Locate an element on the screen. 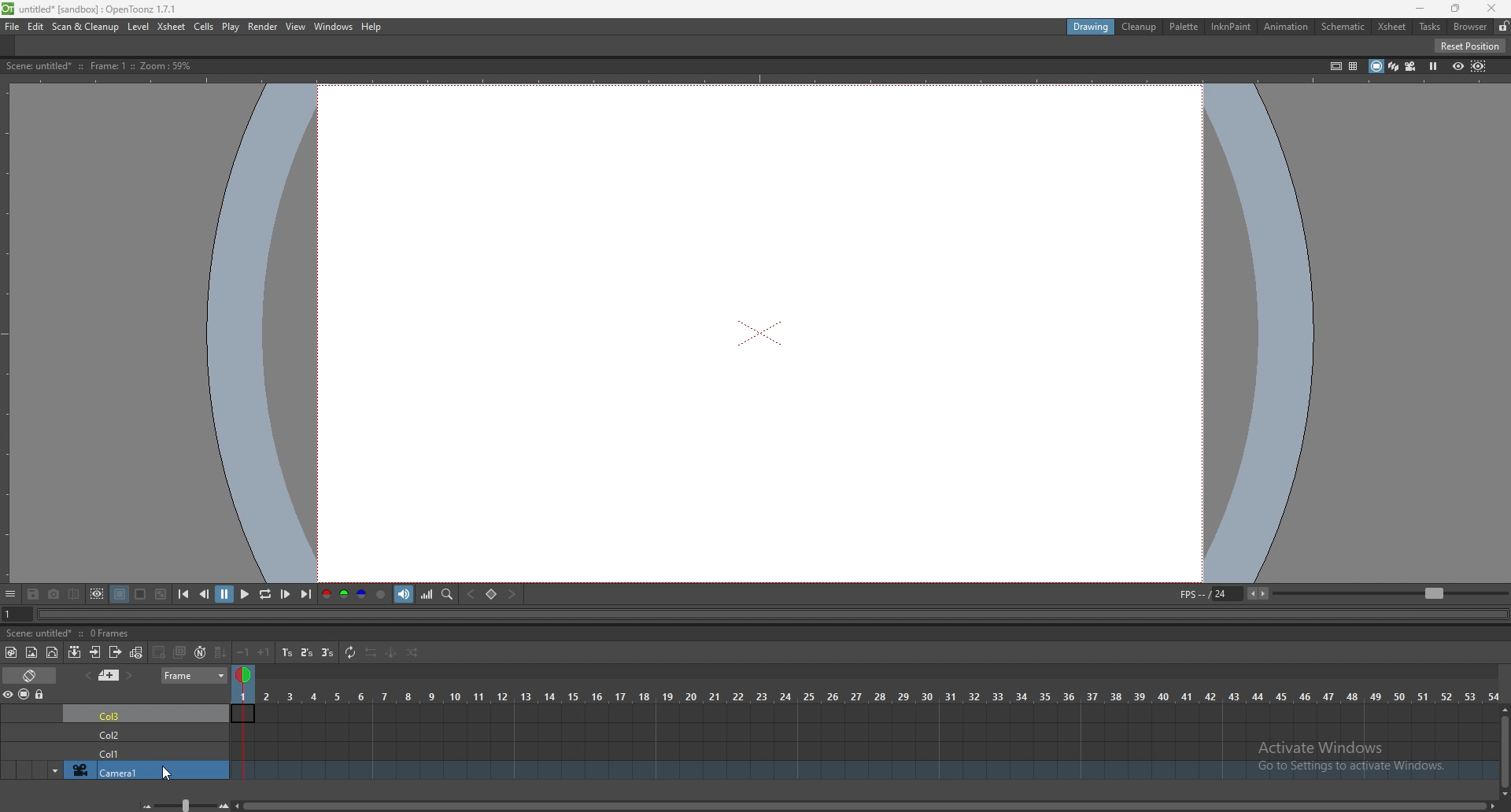 This screenshot has width=1511, height=812. zoom is located at coordinates (184, 804).